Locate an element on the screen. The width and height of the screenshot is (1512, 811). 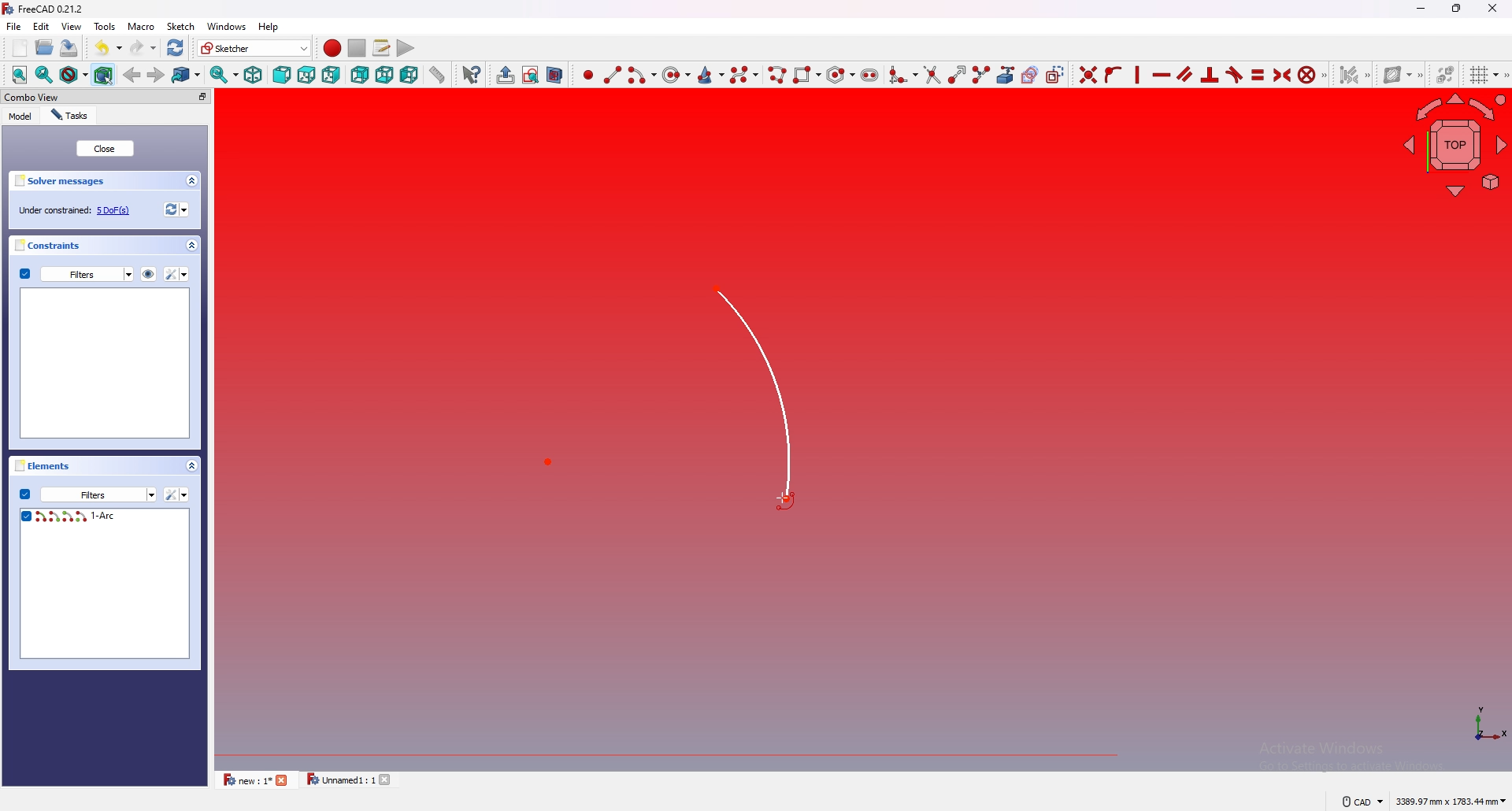
create point is located at coordinates (587, 75).